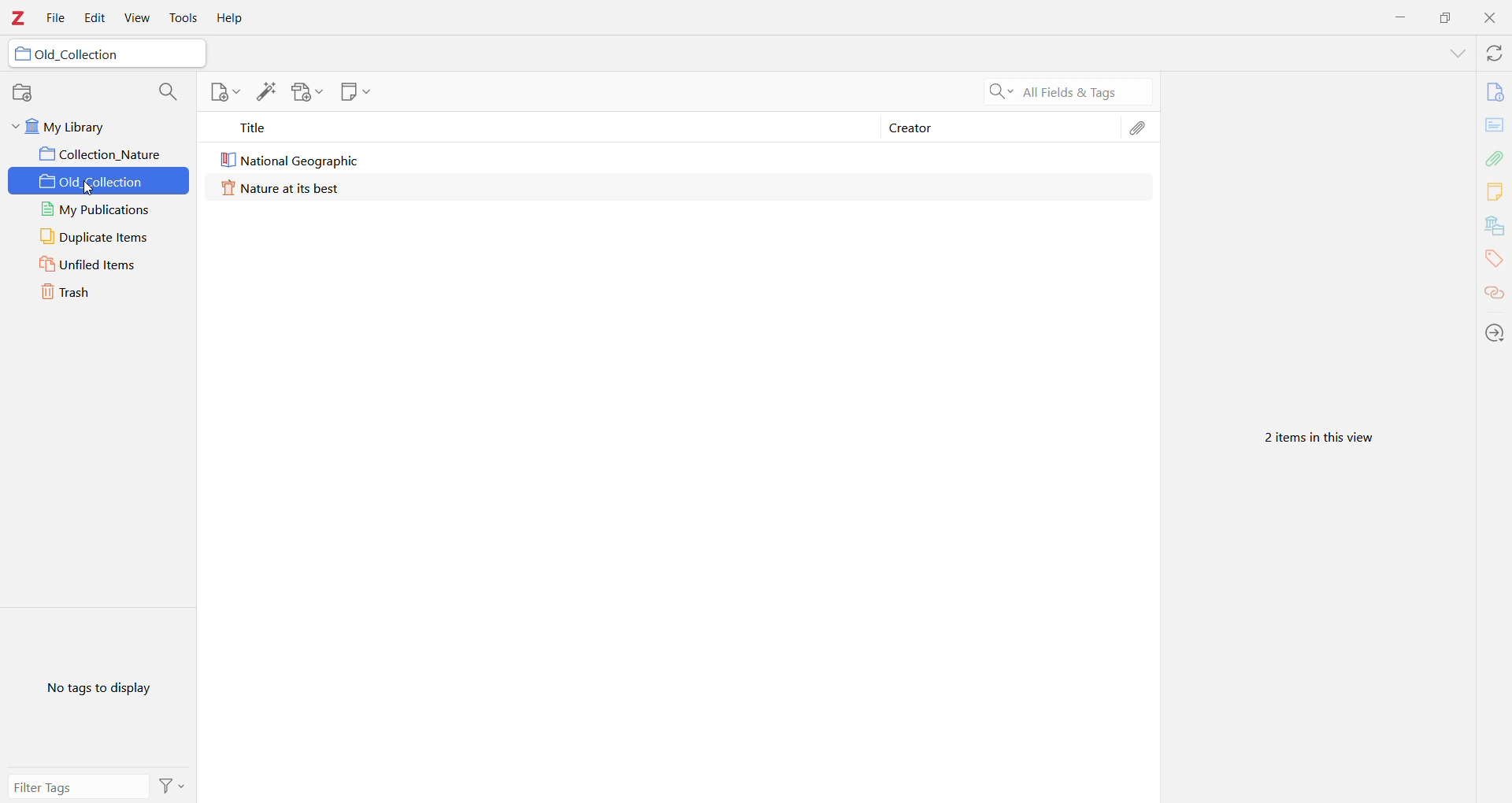  Describe the element at coordinates (1495, 54) in the screenshot. I see `Sync with zotero.org` at that location.